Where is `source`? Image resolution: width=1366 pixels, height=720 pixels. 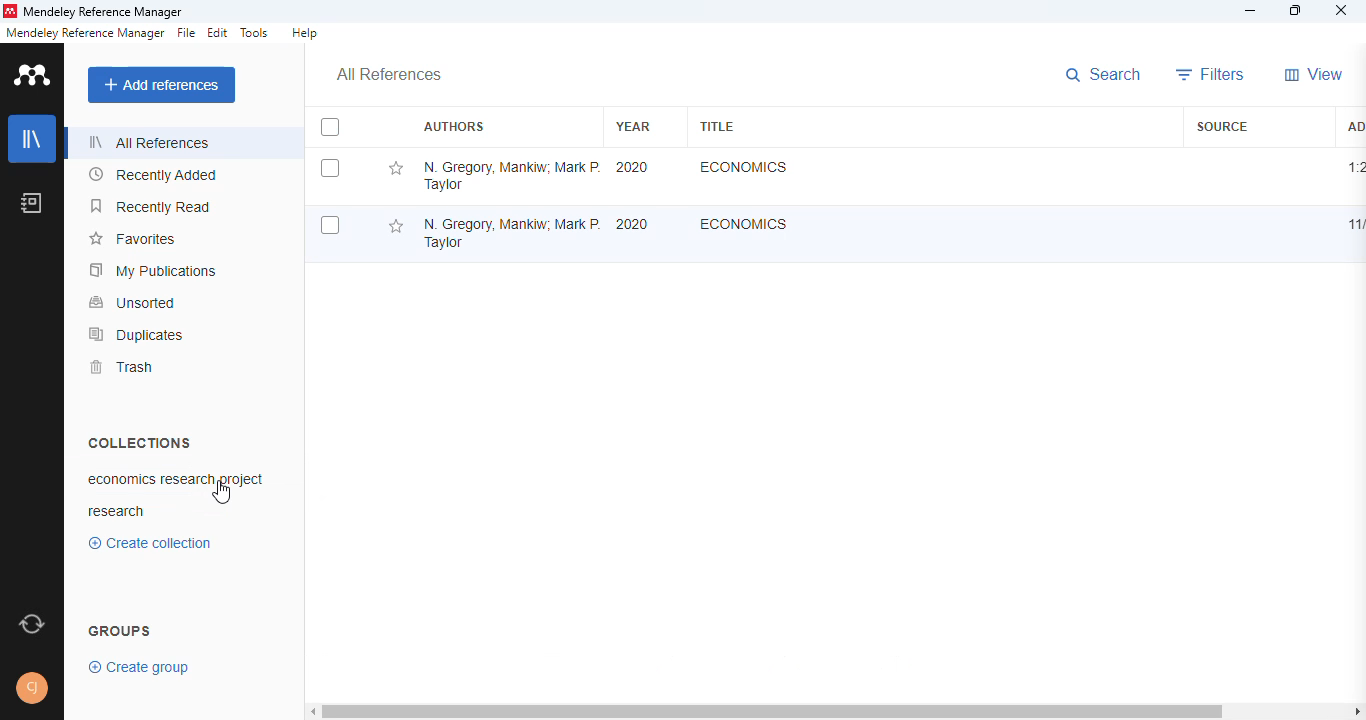 source is located at coordinates (1222, 126).